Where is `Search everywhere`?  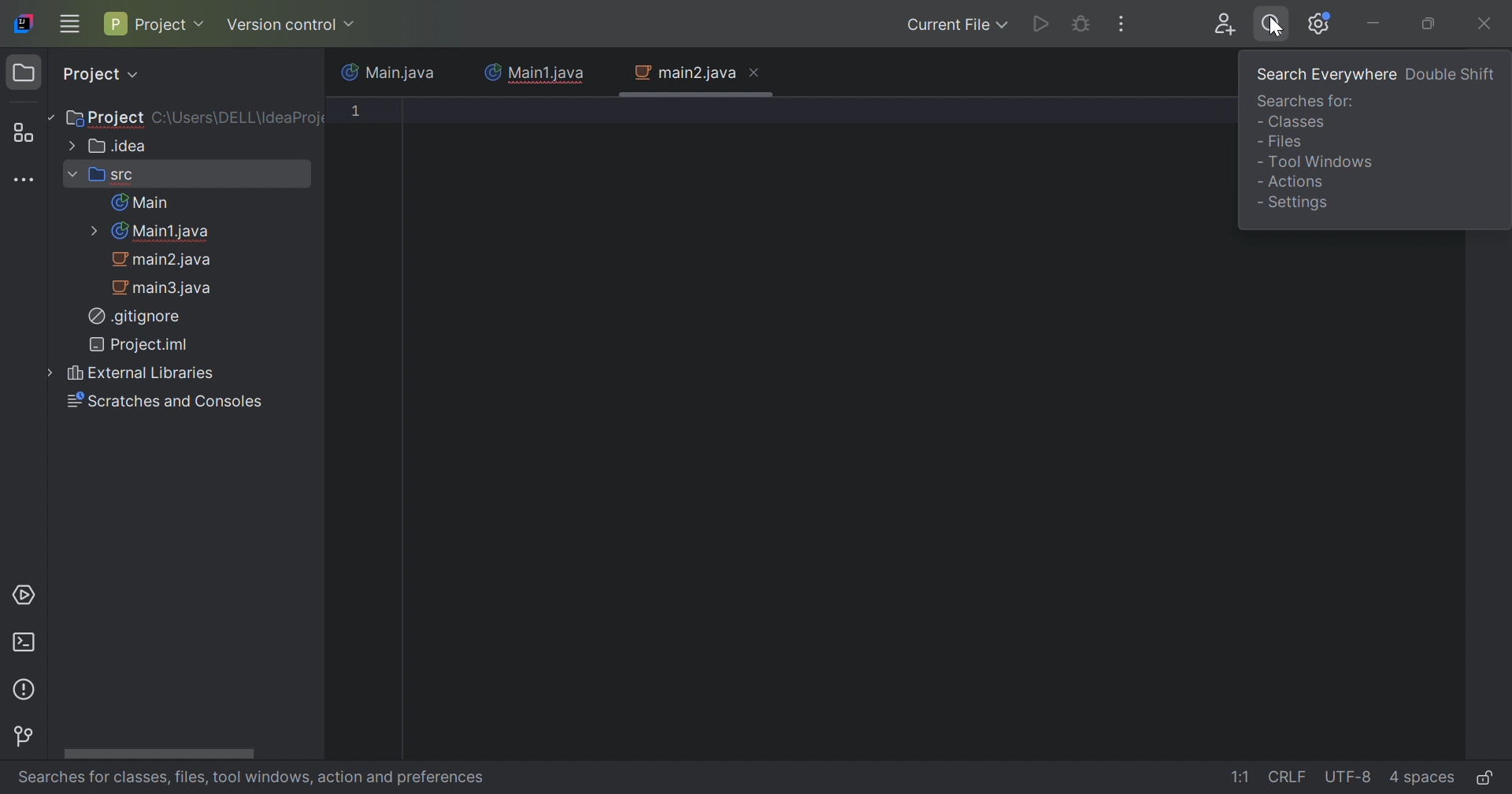
Search everywhere is located at coordinates (1327, 74).